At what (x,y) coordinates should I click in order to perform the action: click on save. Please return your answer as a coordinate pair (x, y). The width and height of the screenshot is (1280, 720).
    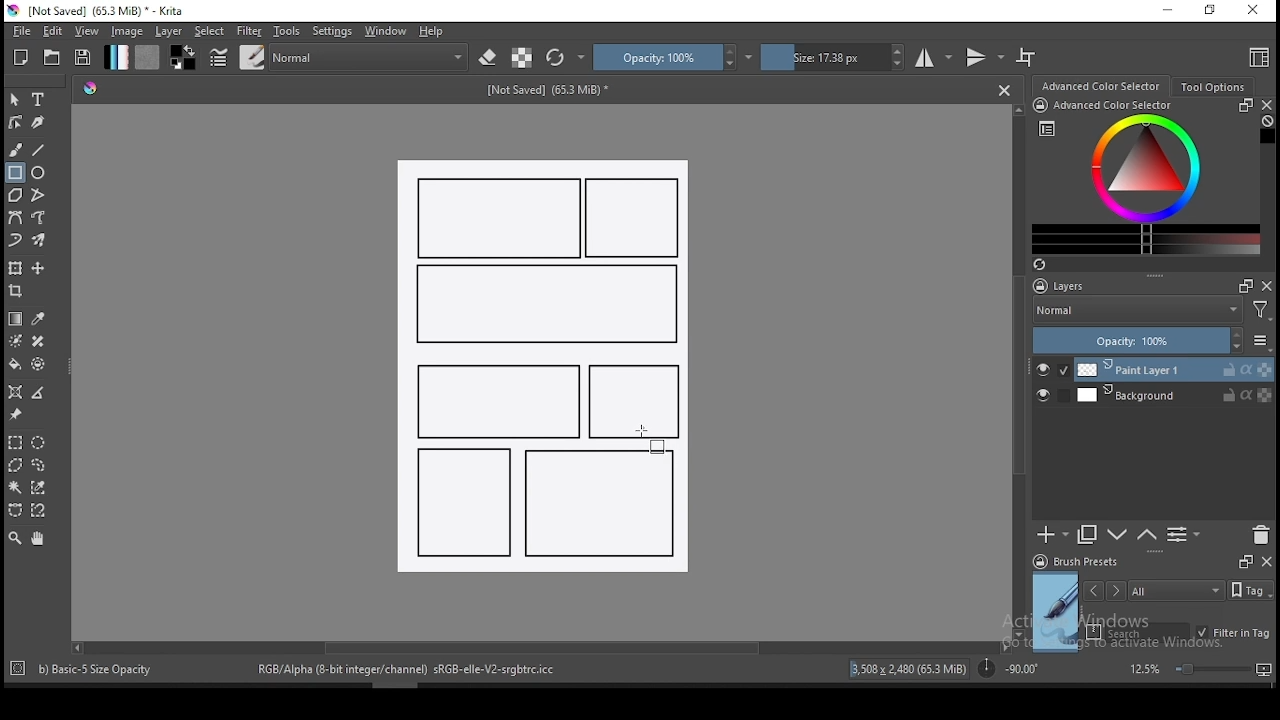
    Looking at the image, I should click on (83, 58).